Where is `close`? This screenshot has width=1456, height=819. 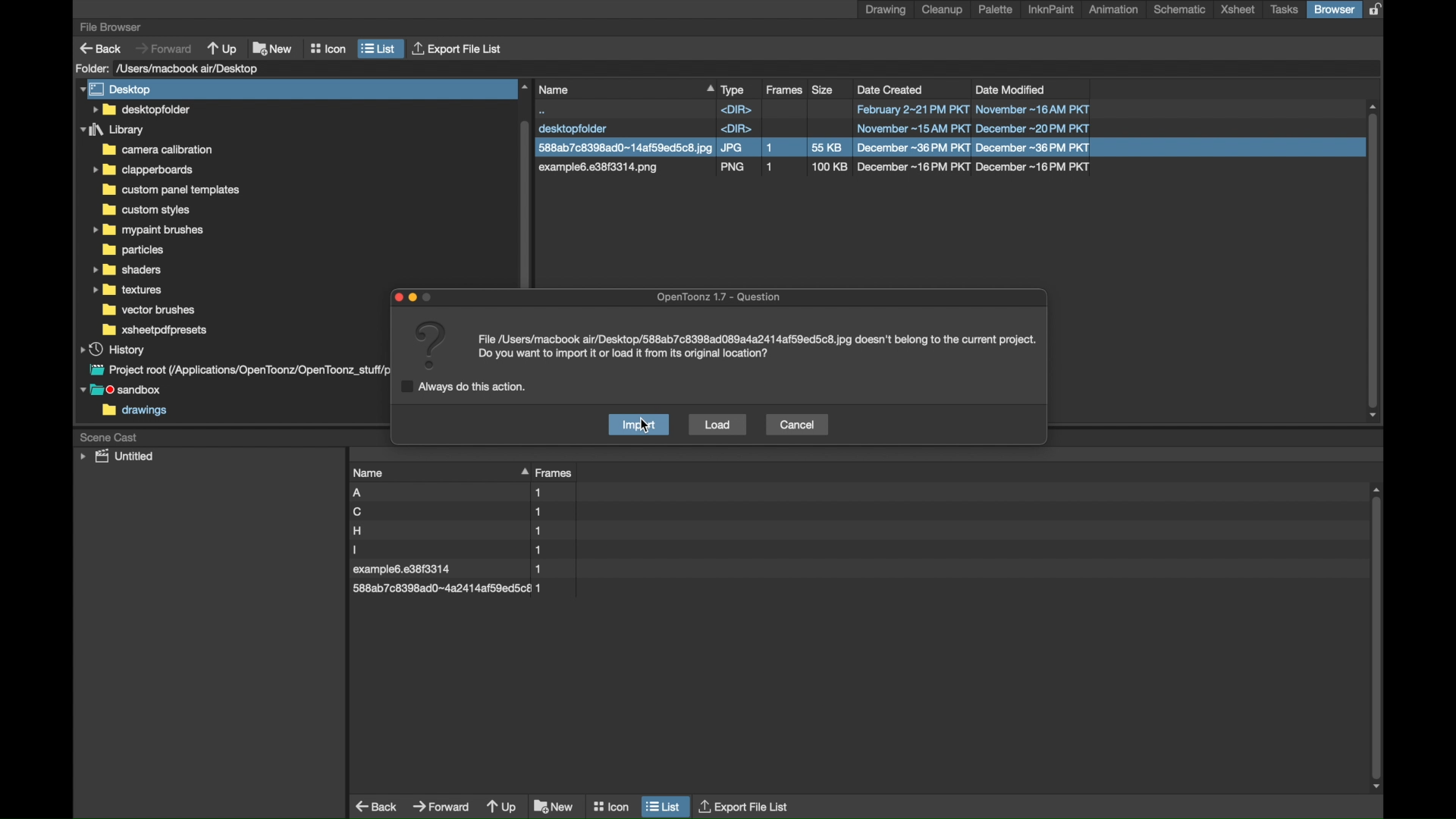 close is located at coordinates (397, 292).